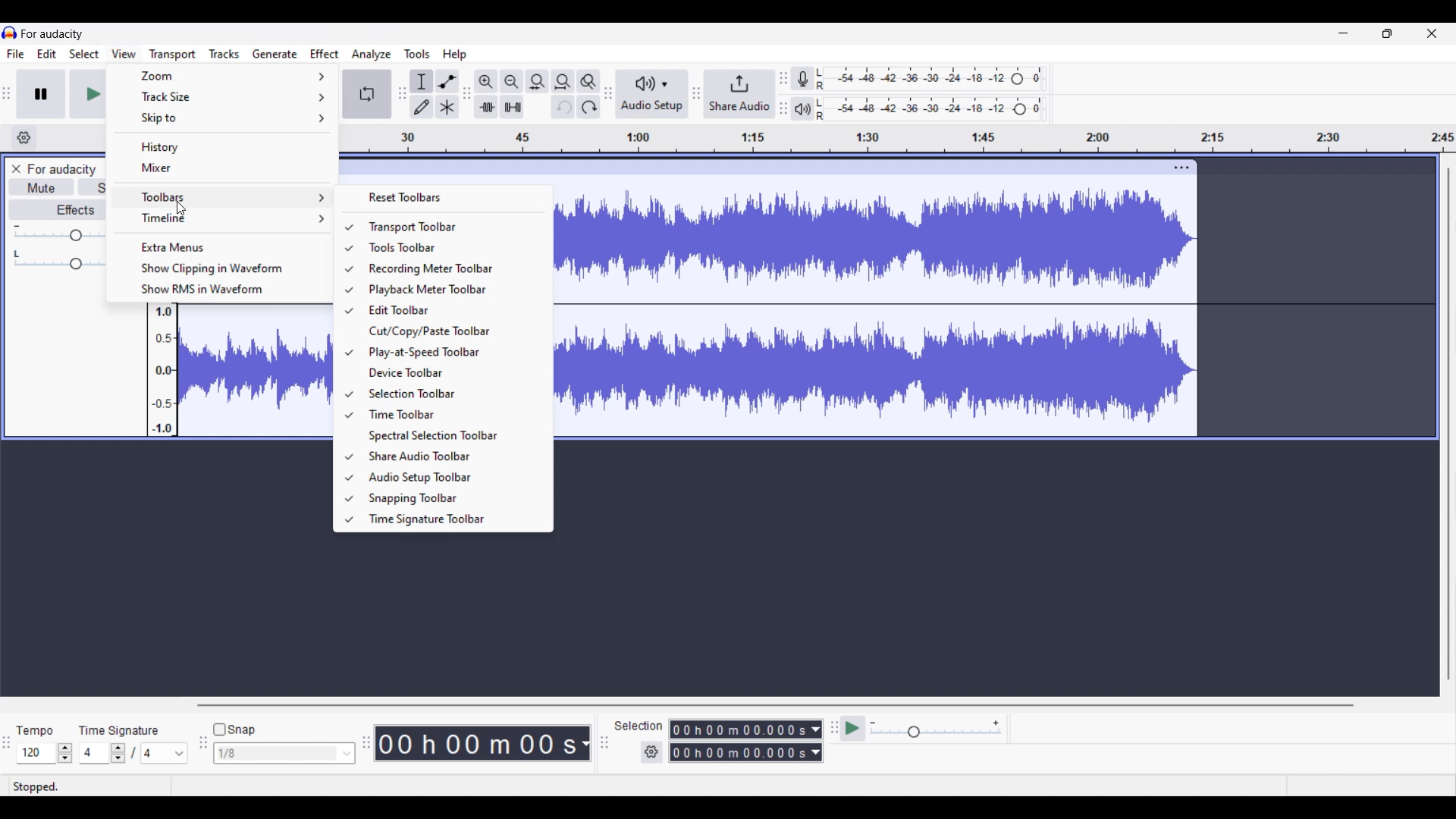  What do you see at coordinates (367, 94) in the screenshot?
I see `Enable looping` at bounding box center [367, 94].